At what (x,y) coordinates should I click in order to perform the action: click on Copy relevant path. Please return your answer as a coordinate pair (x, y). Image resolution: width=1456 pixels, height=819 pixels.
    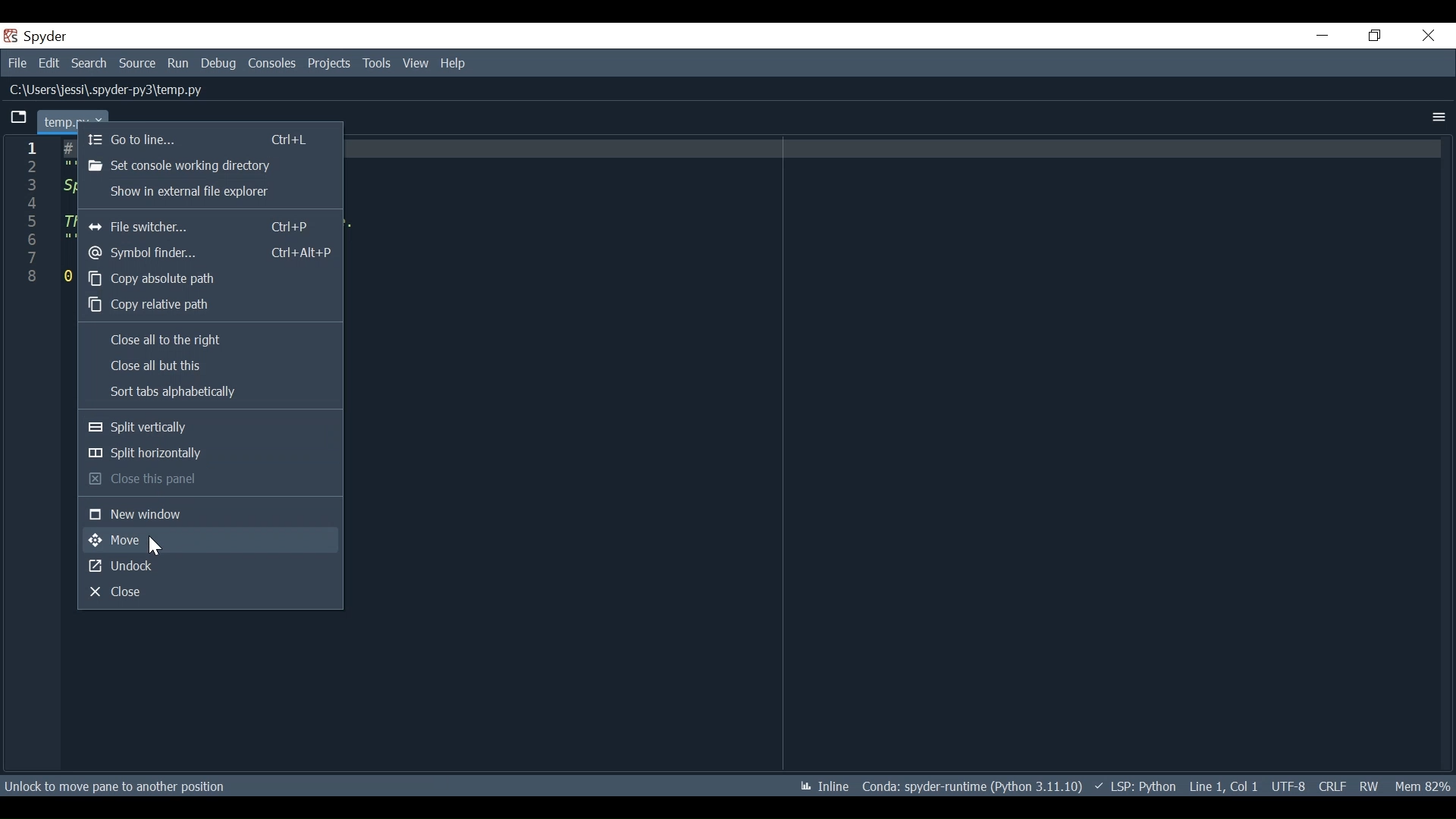
    Looking at the image, I should click on (208, 304).